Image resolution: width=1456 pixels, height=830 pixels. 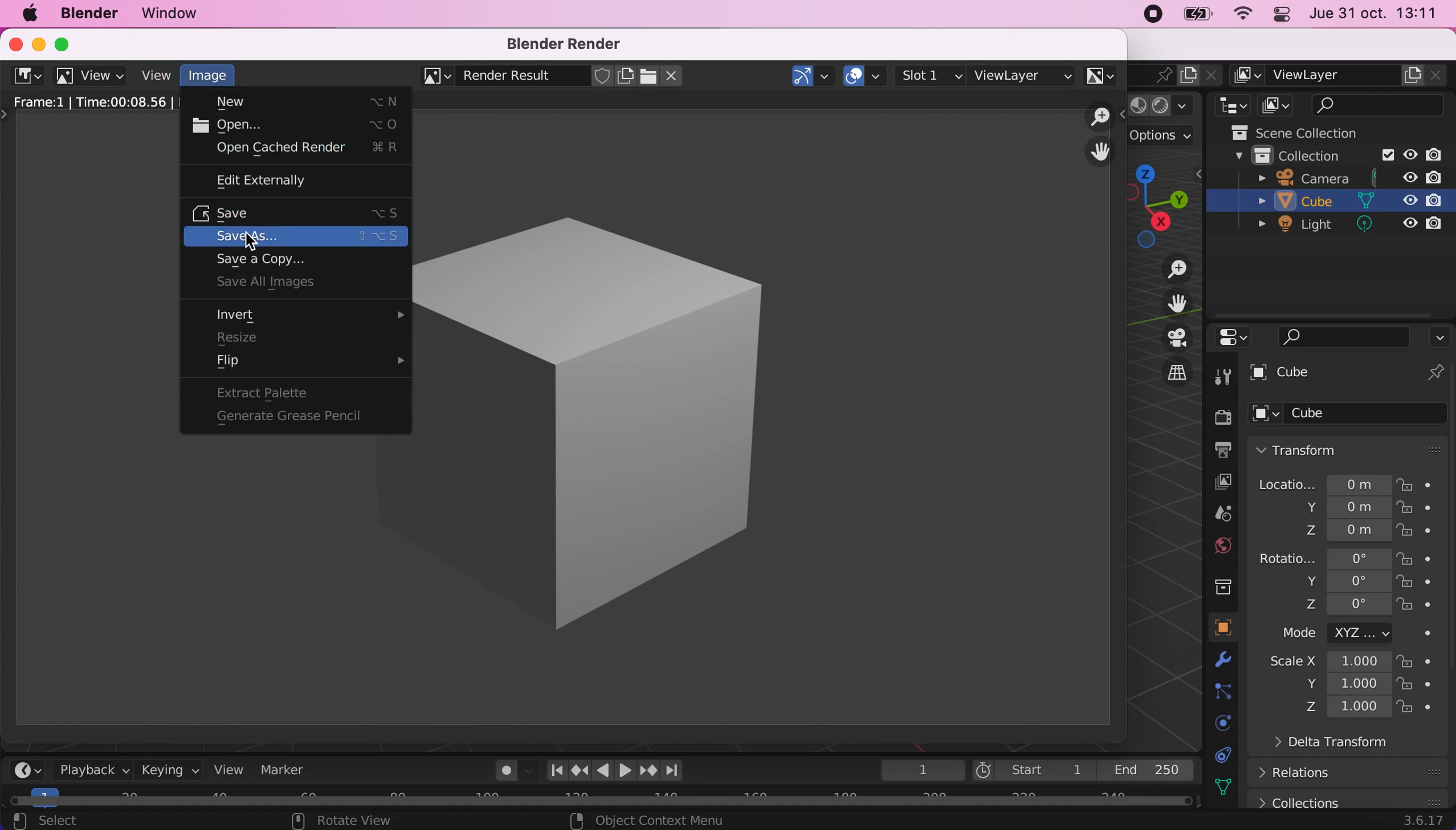 What do you see at coordinates (1222, 514) in the screenshot?
I see `scene` at bounding box center [1222, 514].